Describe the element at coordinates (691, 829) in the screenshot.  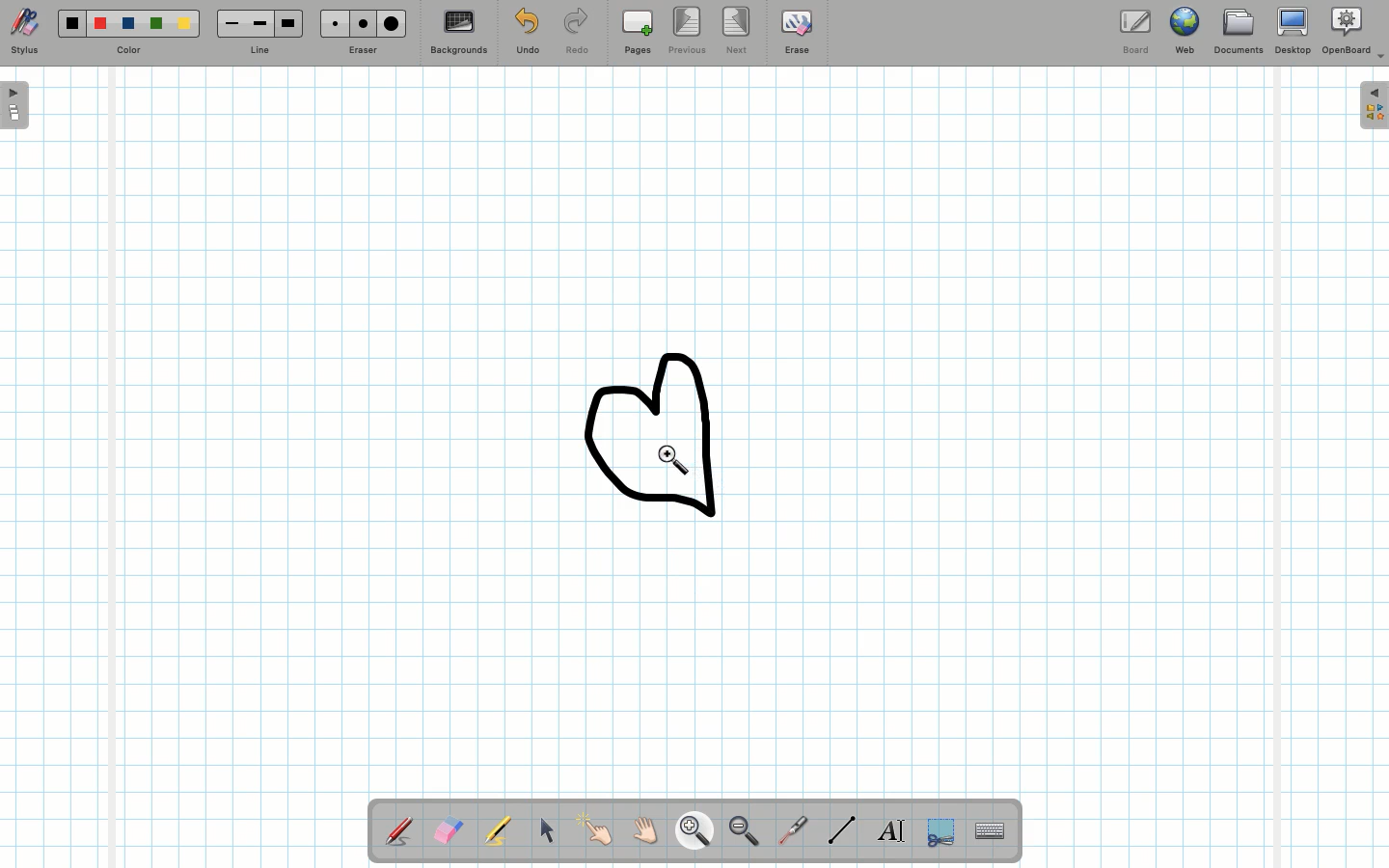
I see `Zoom in` at that location.